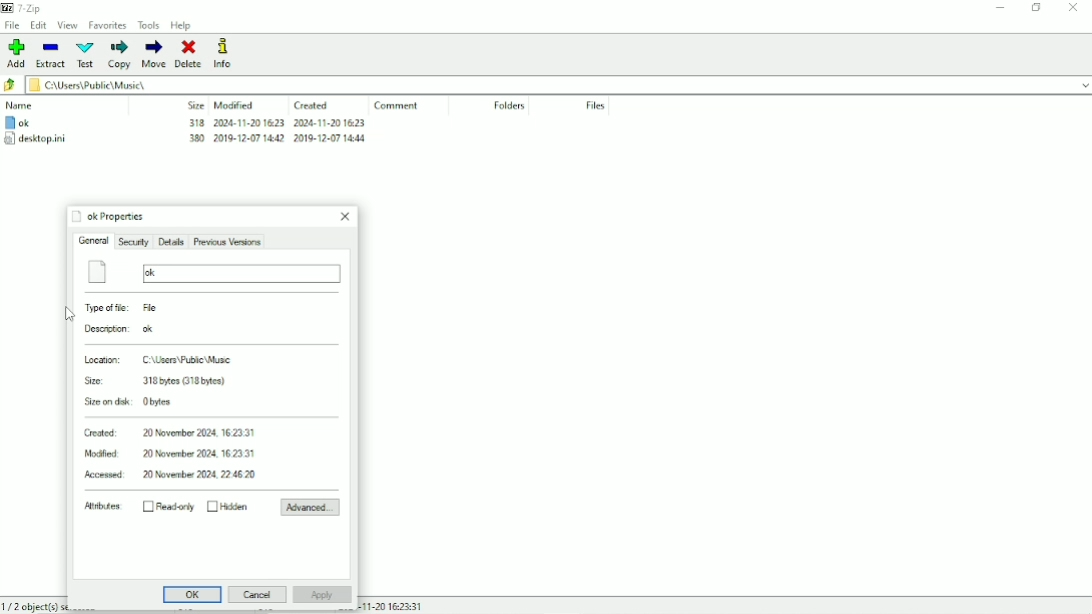 The height and width of the screenshot is (614, 1092). I want to click on desktop.ini, so click(186, 141).